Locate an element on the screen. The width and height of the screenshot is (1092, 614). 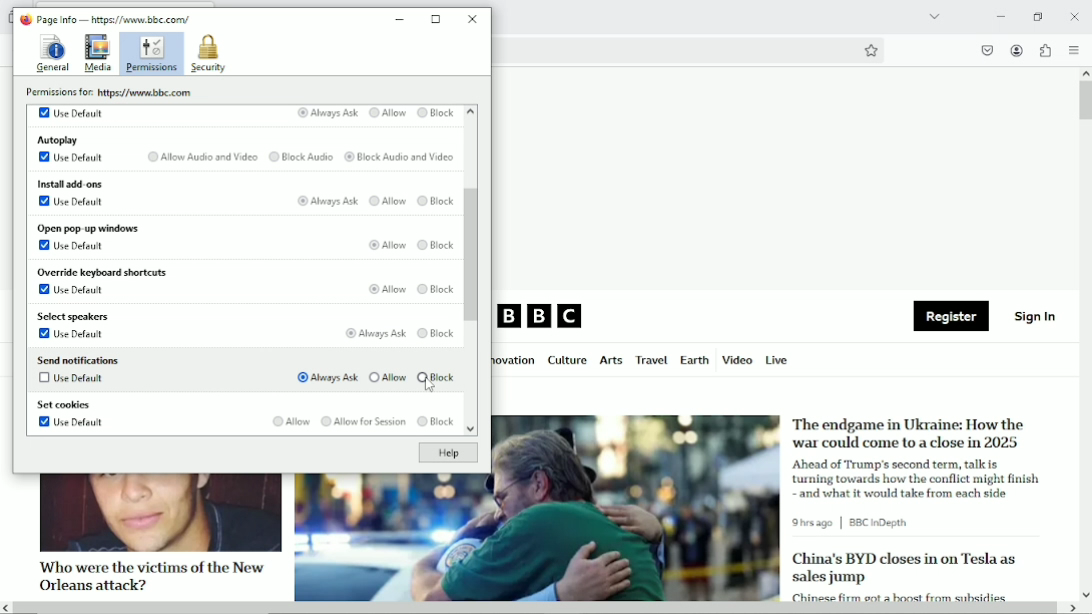
Block is located at coordinates (435, 203).